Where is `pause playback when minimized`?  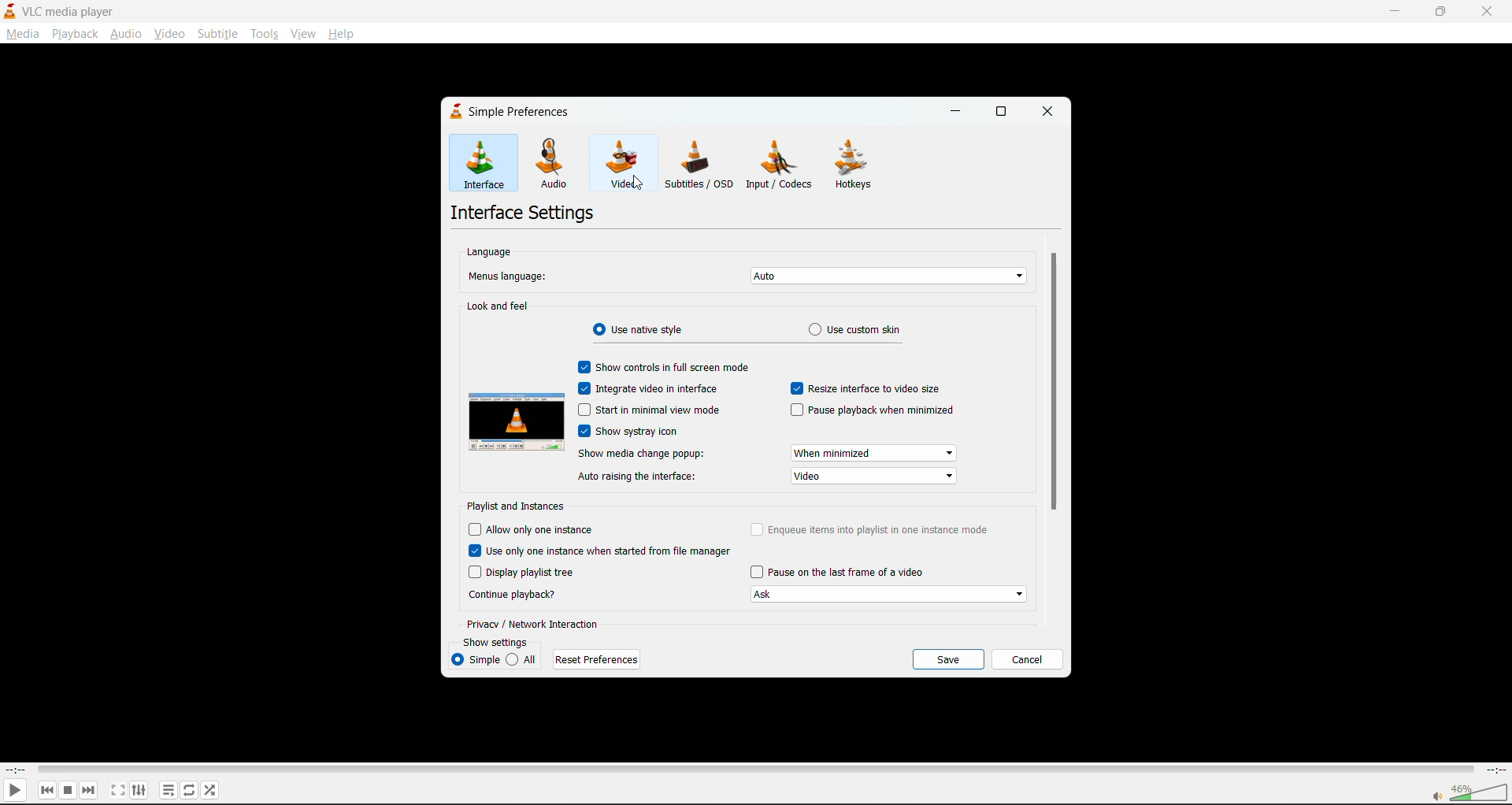 pause playback when minimized is located at coordinates (871, 410).